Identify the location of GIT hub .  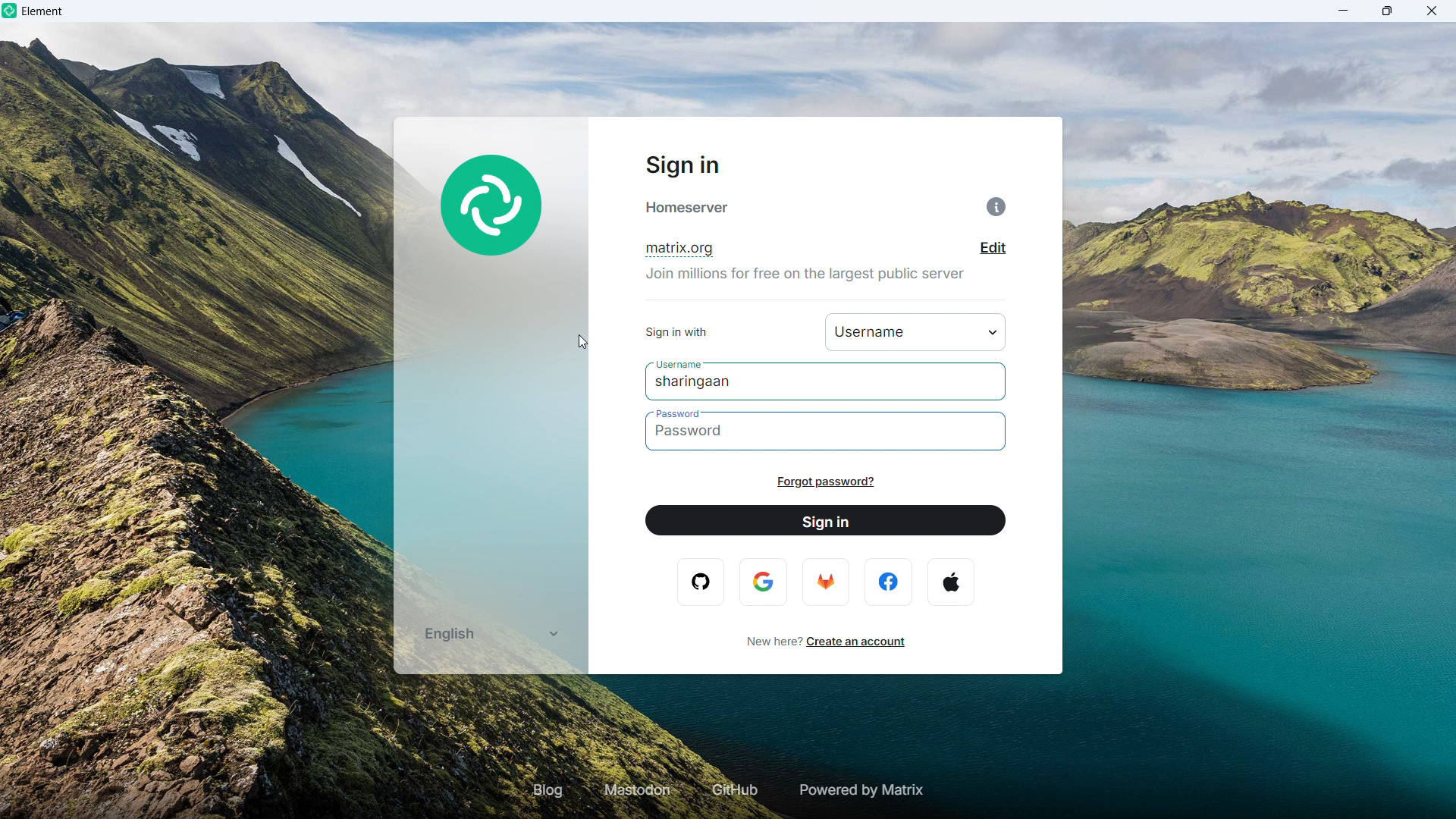
(732, 791).